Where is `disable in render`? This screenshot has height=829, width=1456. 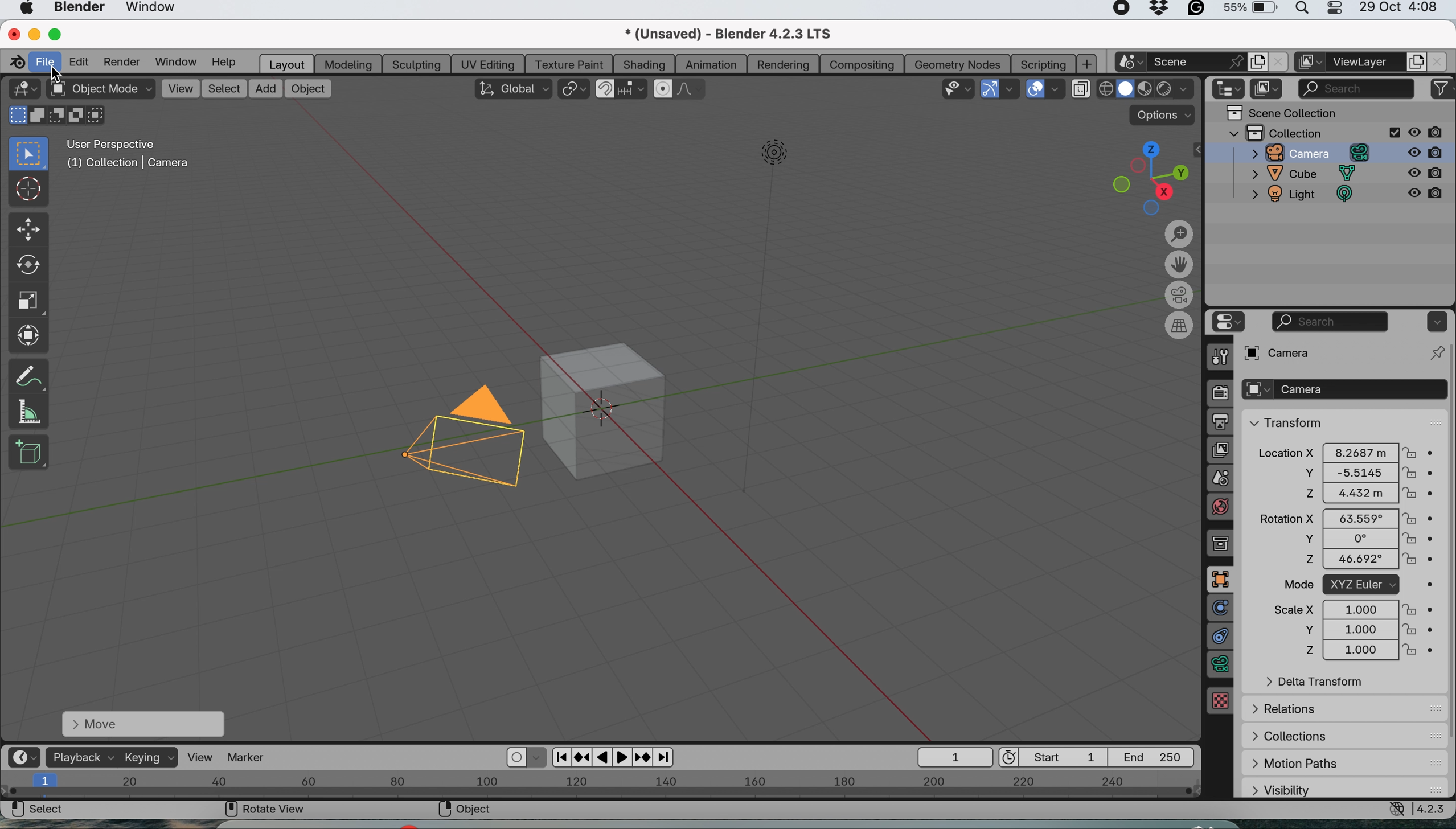
disable in render is located at coordinates (1426, 174).